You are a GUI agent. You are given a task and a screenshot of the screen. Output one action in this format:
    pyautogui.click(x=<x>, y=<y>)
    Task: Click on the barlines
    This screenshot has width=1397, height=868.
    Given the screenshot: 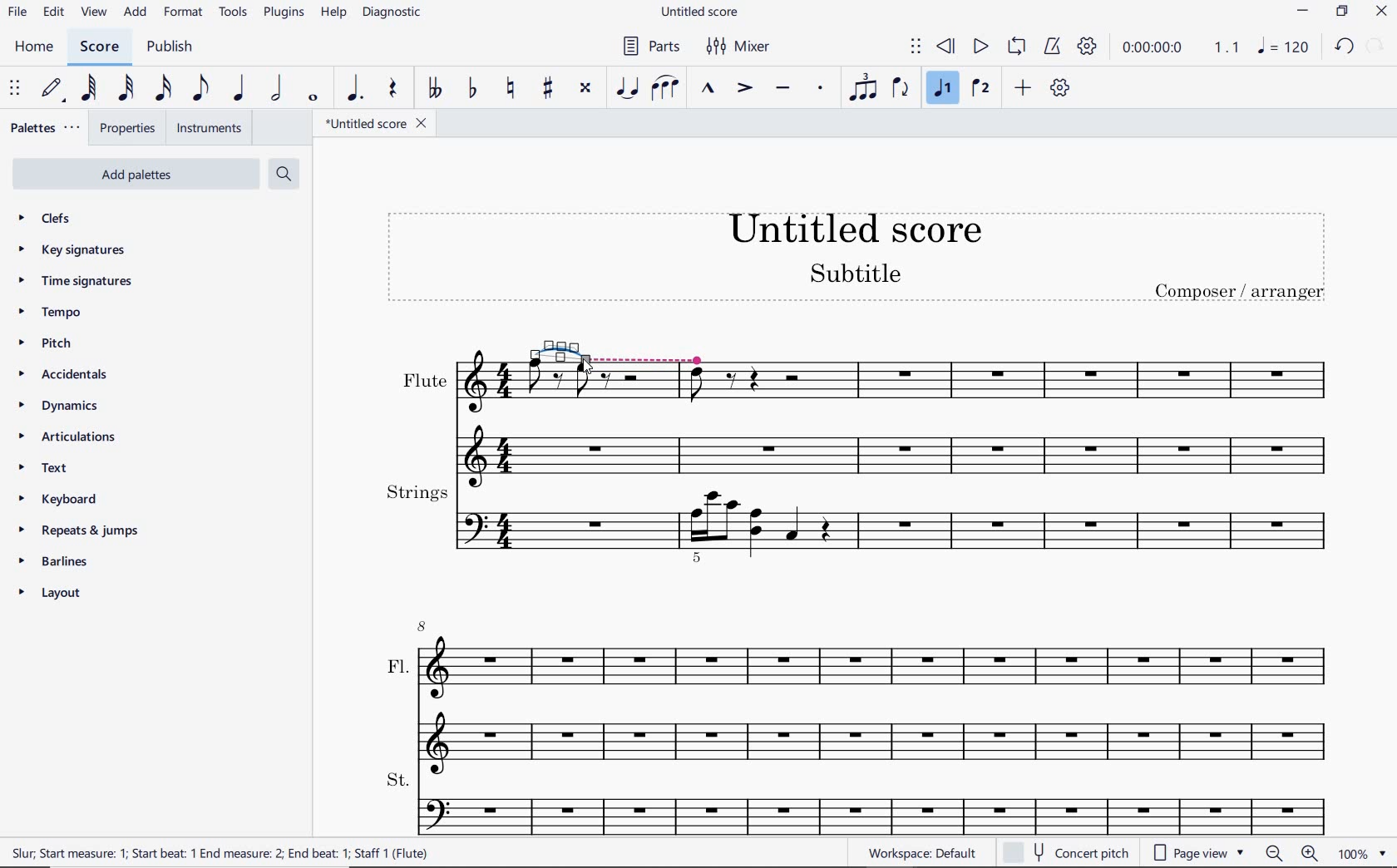 What is the action you would take?
    pyautogui.click(x=62, y=562)
    